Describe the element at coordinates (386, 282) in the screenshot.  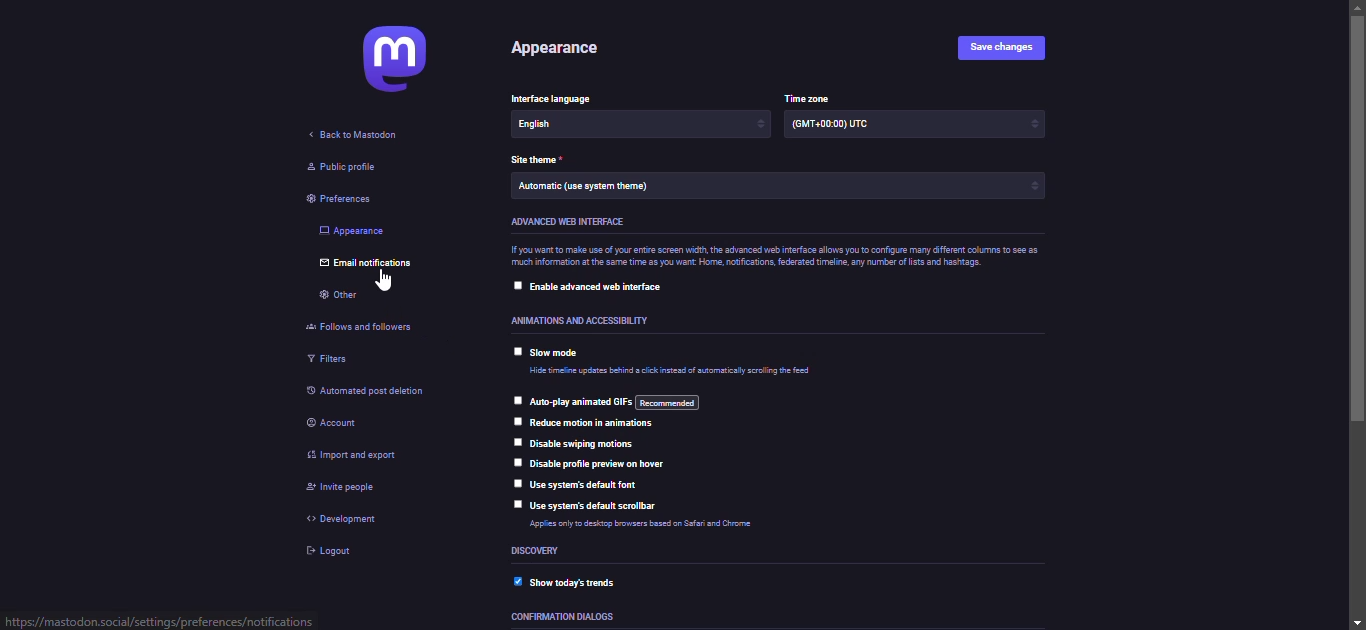
I see `cursor` at that location.